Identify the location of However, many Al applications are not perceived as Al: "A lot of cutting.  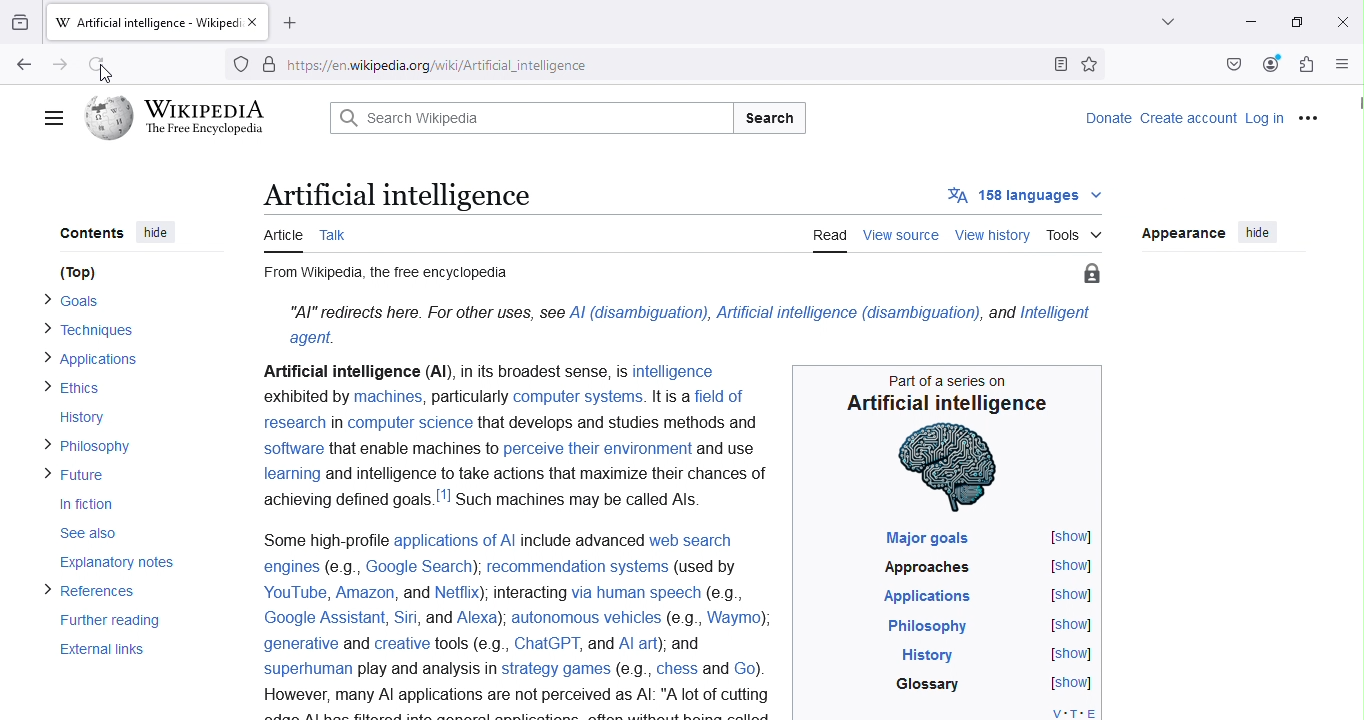
(510, 694).